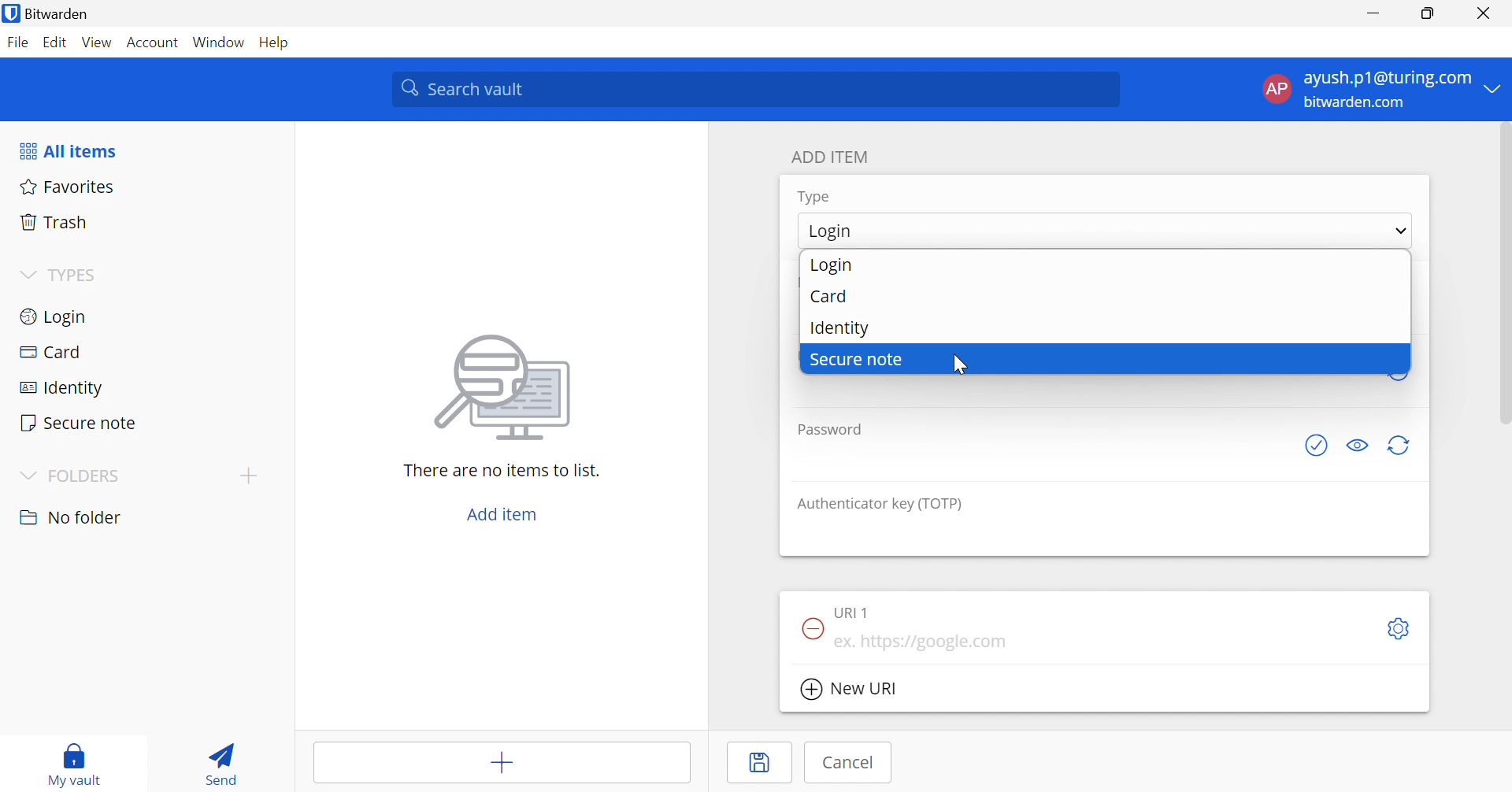 Image resolution: width=1512 pixels, height=792 pixels. Describe the element at coordinates (850, 610) in the screenshot. I see `Check if password has been exposed` at that location.